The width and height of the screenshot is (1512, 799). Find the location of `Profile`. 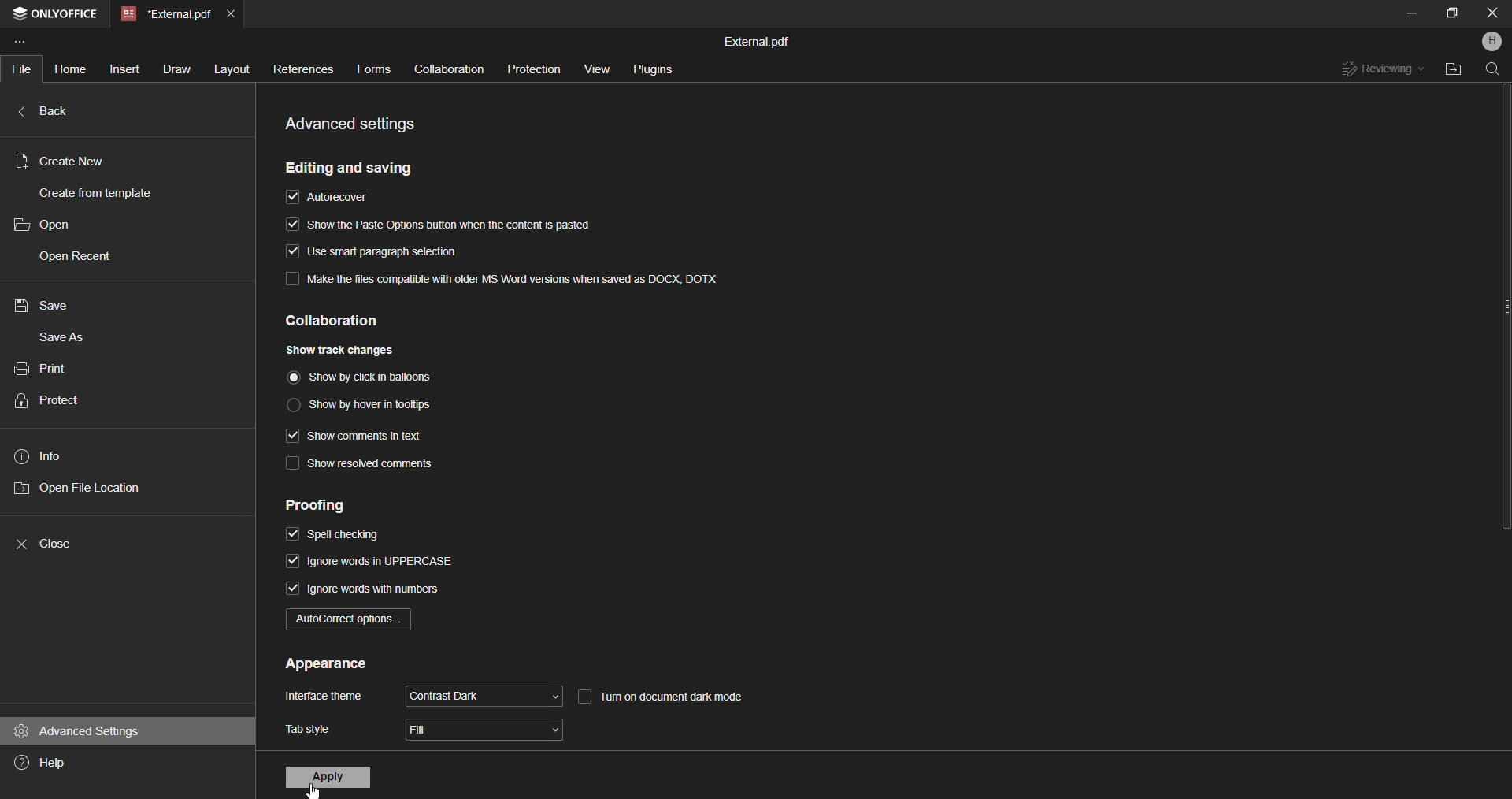

Profile is located at coordinates (1493, 40).